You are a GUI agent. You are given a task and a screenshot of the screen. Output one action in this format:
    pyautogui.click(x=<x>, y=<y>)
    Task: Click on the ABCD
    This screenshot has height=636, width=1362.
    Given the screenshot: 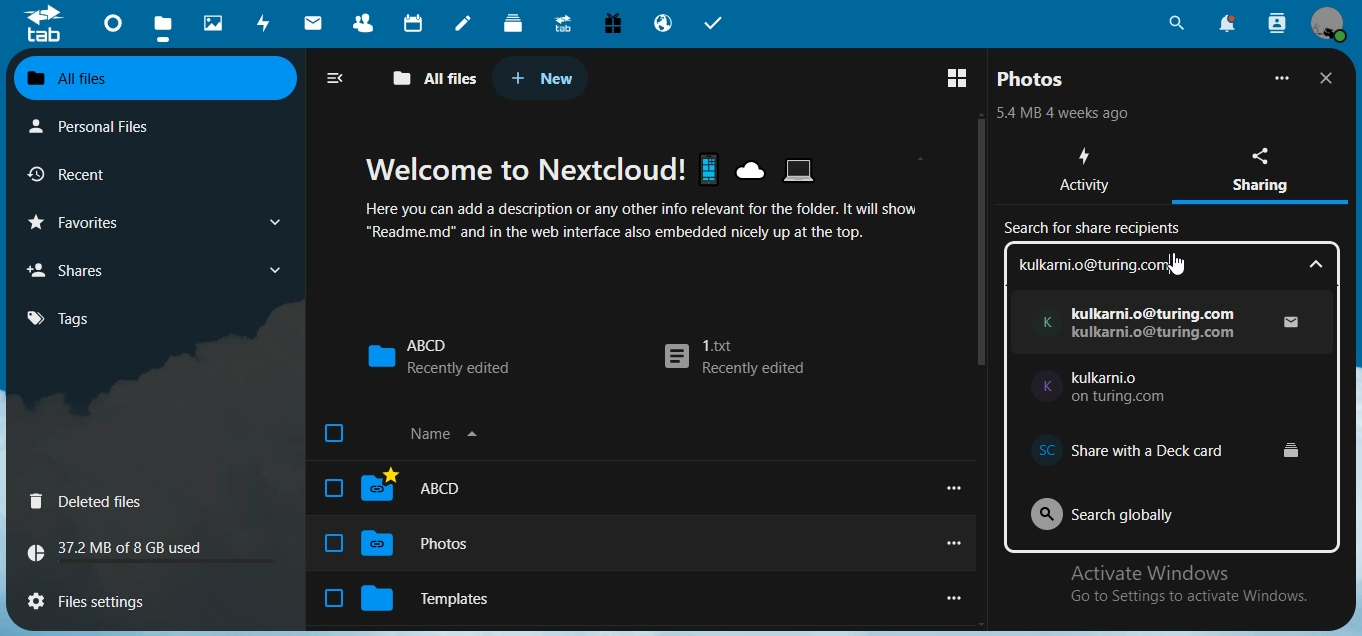 What is the action you would take?
    pyautogui.click(x=433, y=488)
    